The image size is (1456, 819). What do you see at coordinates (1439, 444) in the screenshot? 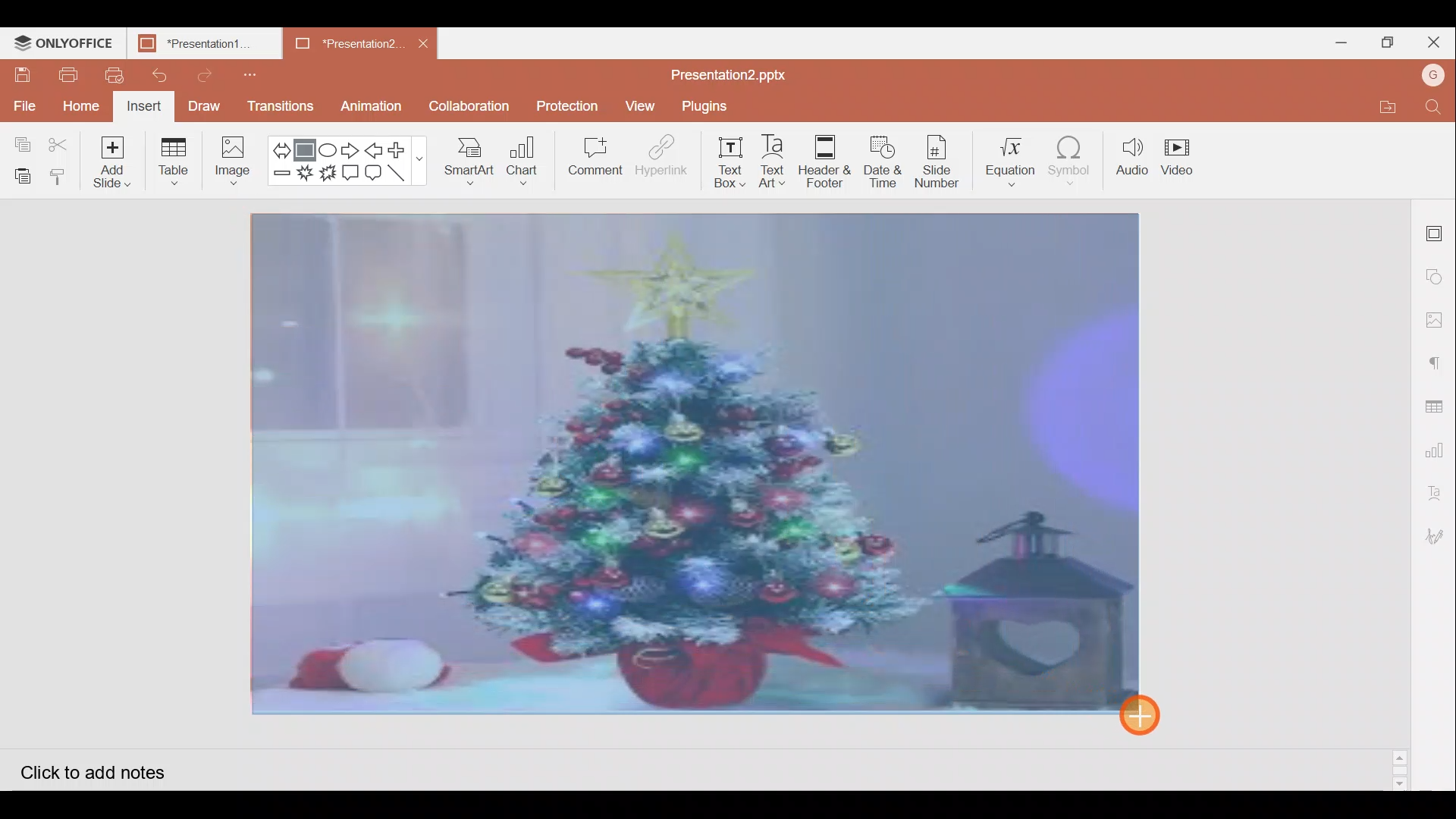
I see `Chart settings` at bounding box center [1439, 444].